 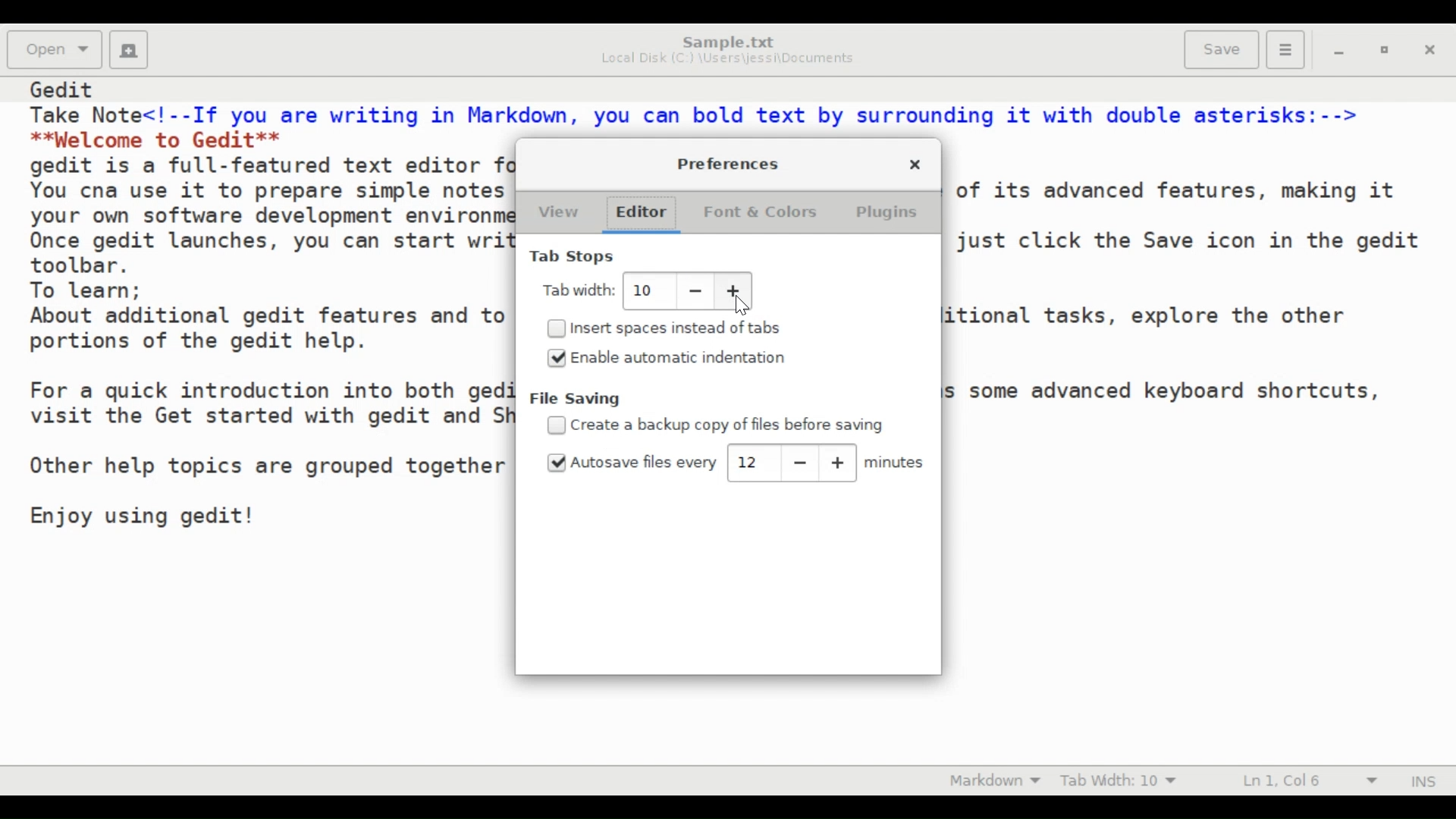 I want to click on Preferences, so click(x=725, y=165).